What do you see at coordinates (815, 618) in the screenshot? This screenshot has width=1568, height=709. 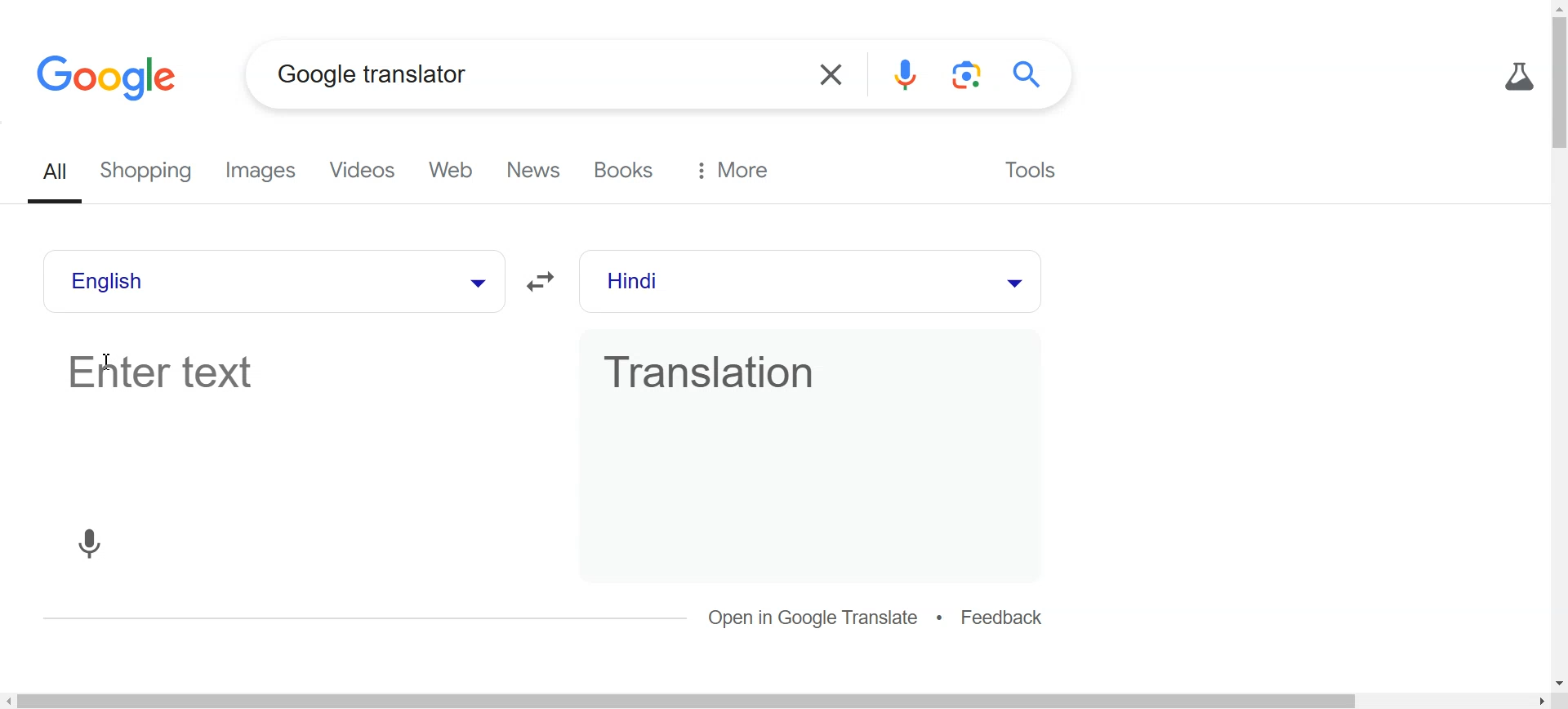 I see `Open in google Translate` at bounding box center [815, 618].